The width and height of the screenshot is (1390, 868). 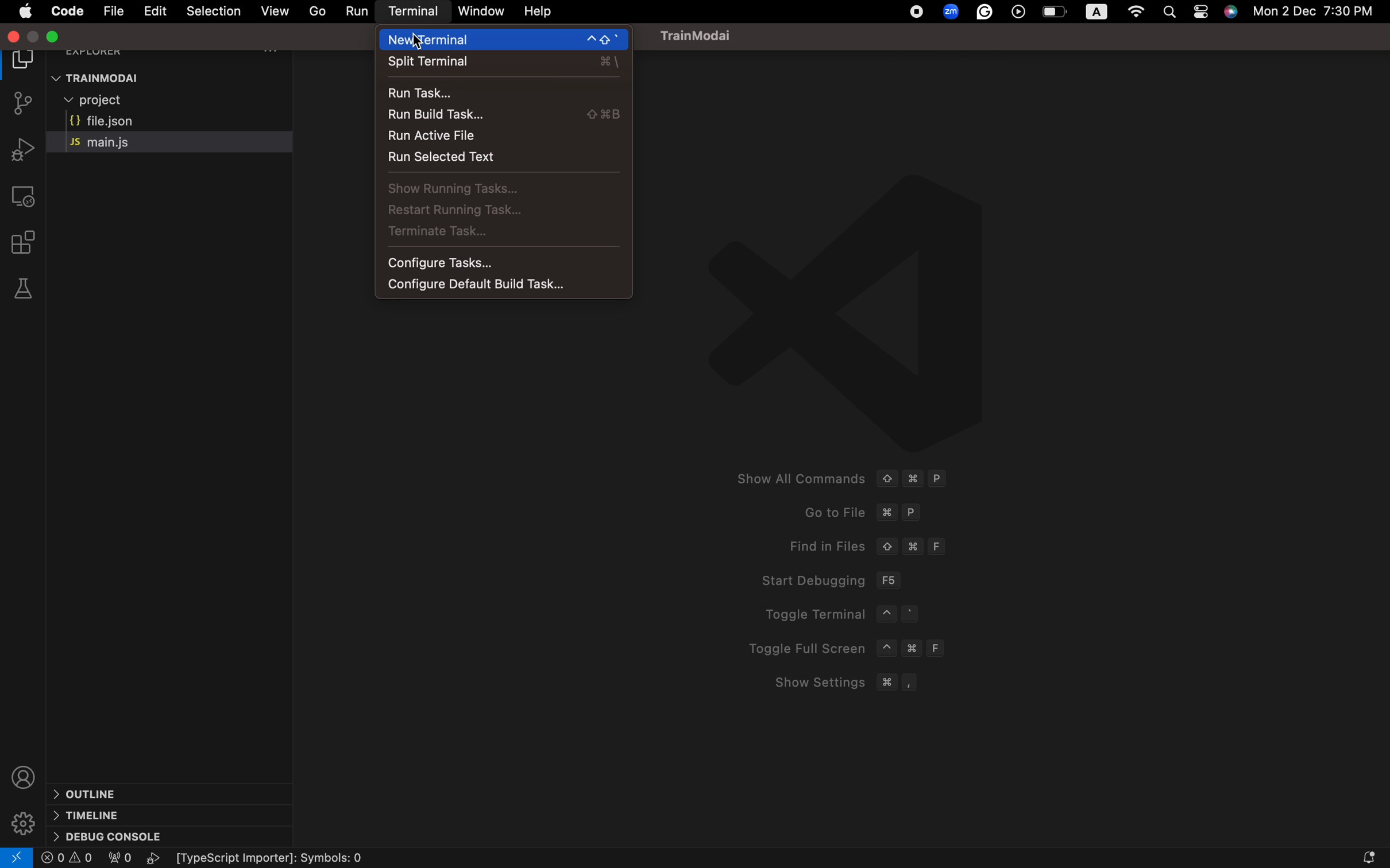 I want to click on debug , so click(x=109, y=835).